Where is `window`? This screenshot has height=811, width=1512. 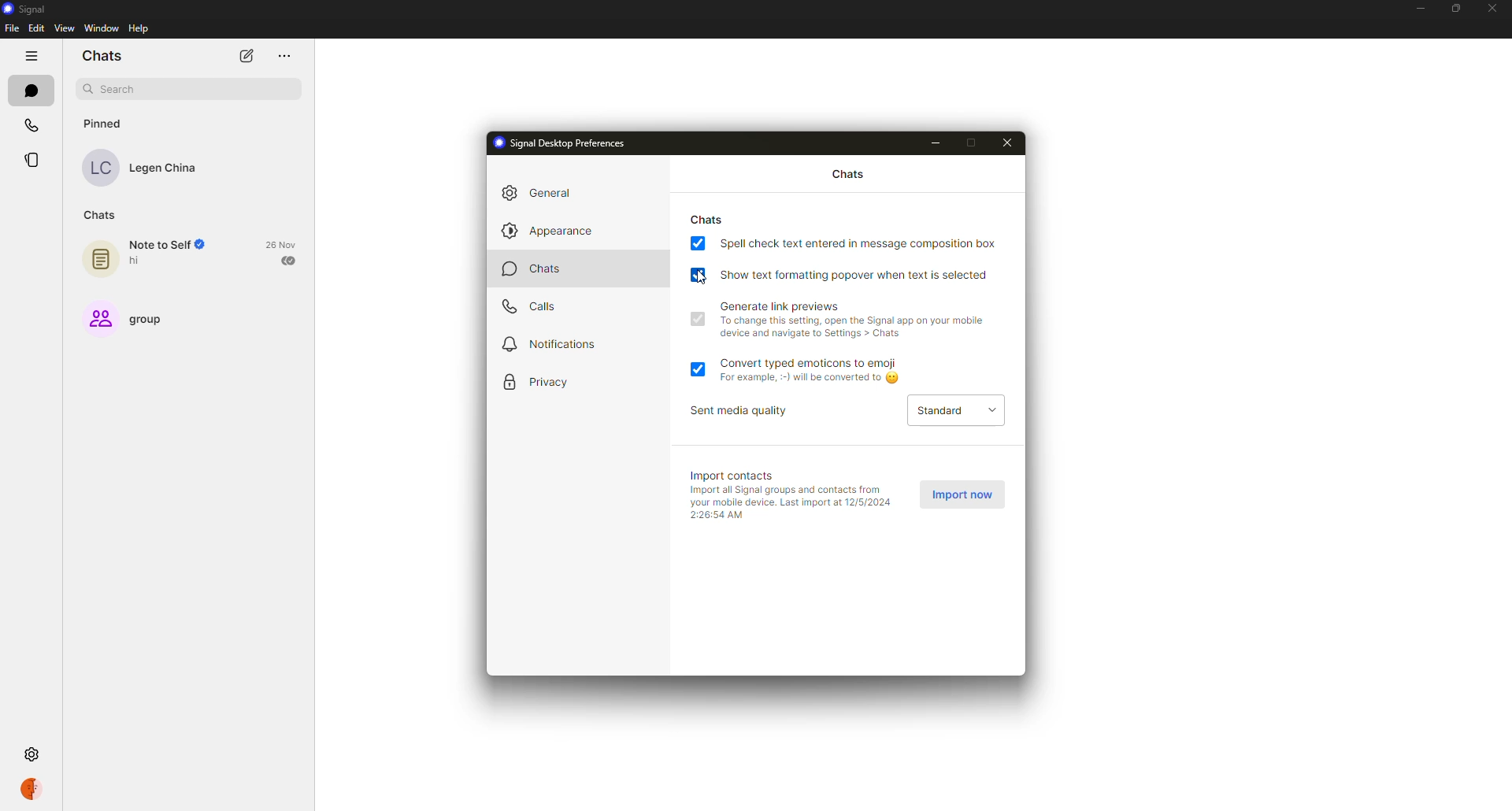 window is located at coordinates (102, 28).